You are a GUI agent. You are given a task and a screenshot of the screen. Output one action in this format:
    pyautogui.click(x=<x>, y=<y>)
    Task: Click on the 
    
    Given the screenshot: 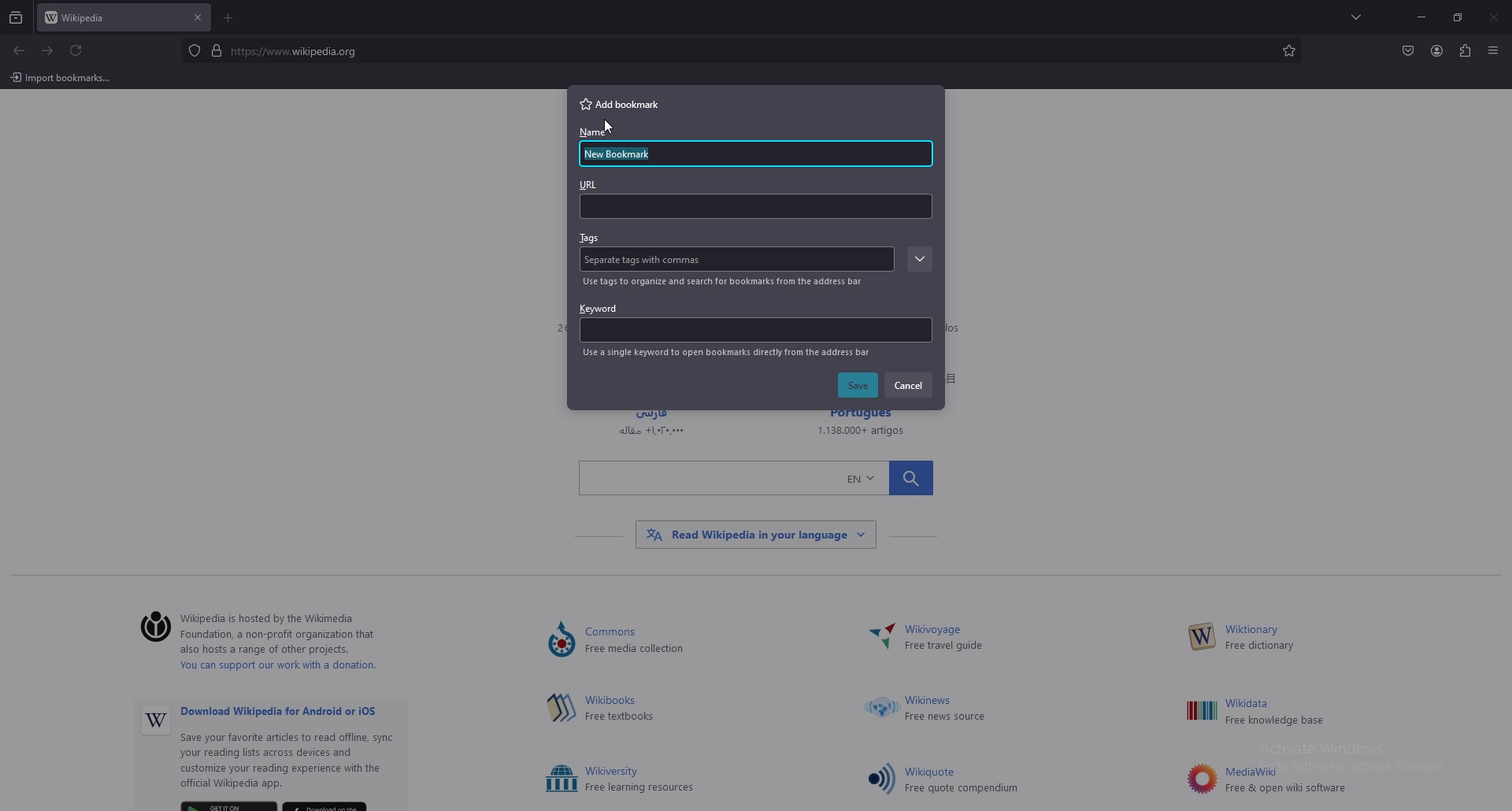 What is the action you would take?
    pyautogui.click(x=965, y=781)
    